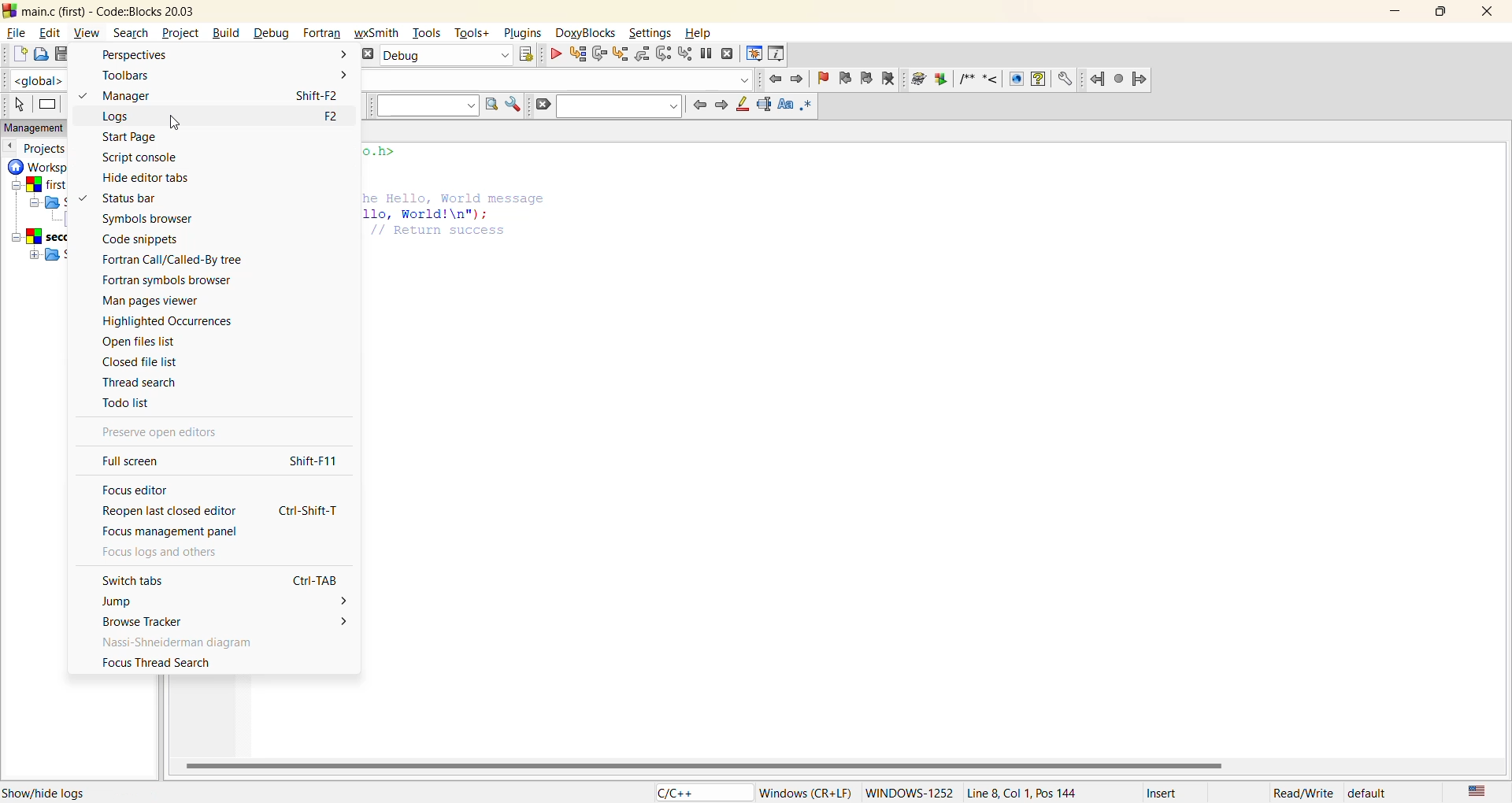  Describe the element at coordinates (139, 139) in the screenshot. I see `start page` at that location.